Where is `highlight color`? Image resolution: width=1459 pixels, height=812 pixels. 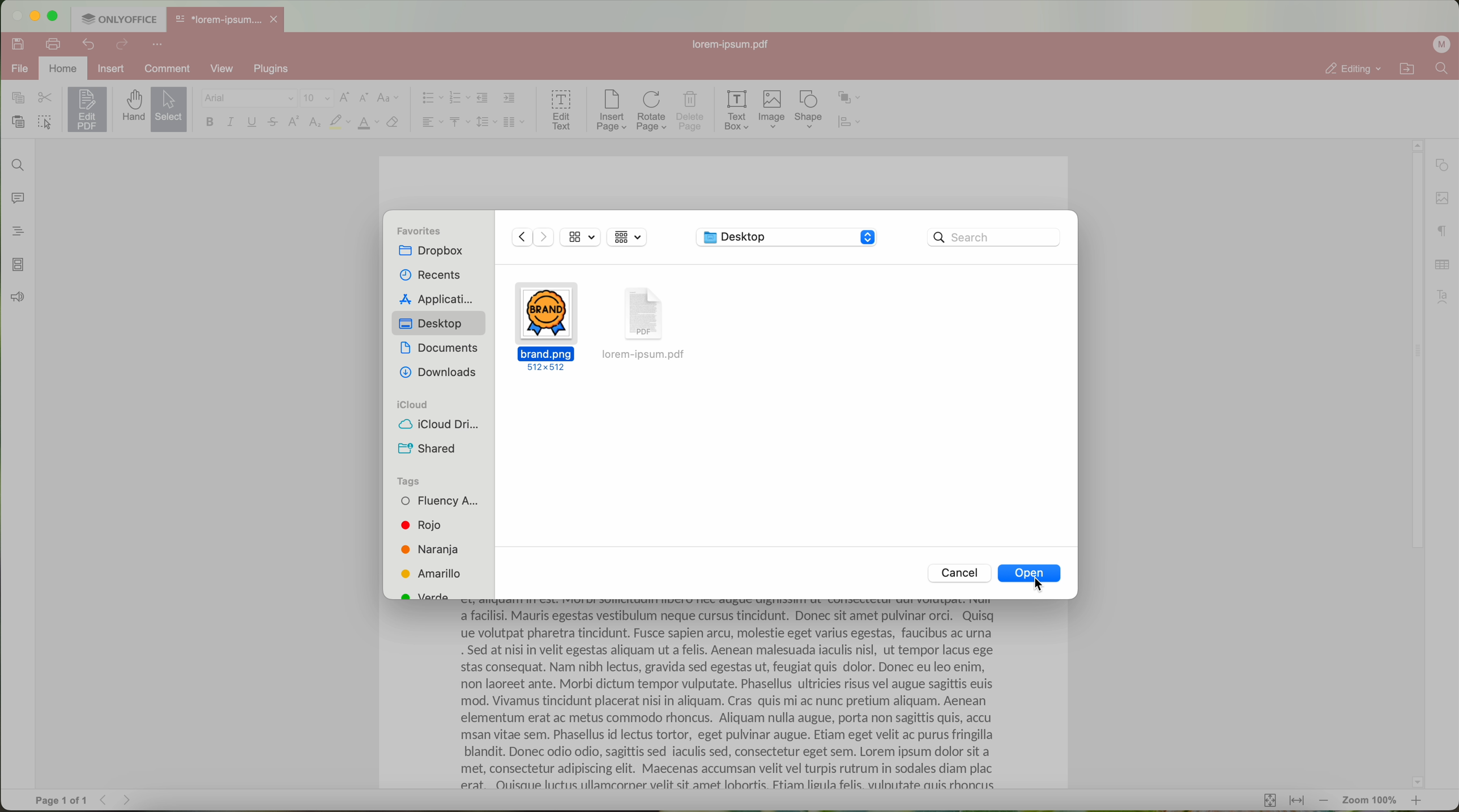
highlight color is located at coordinates (339, 123).